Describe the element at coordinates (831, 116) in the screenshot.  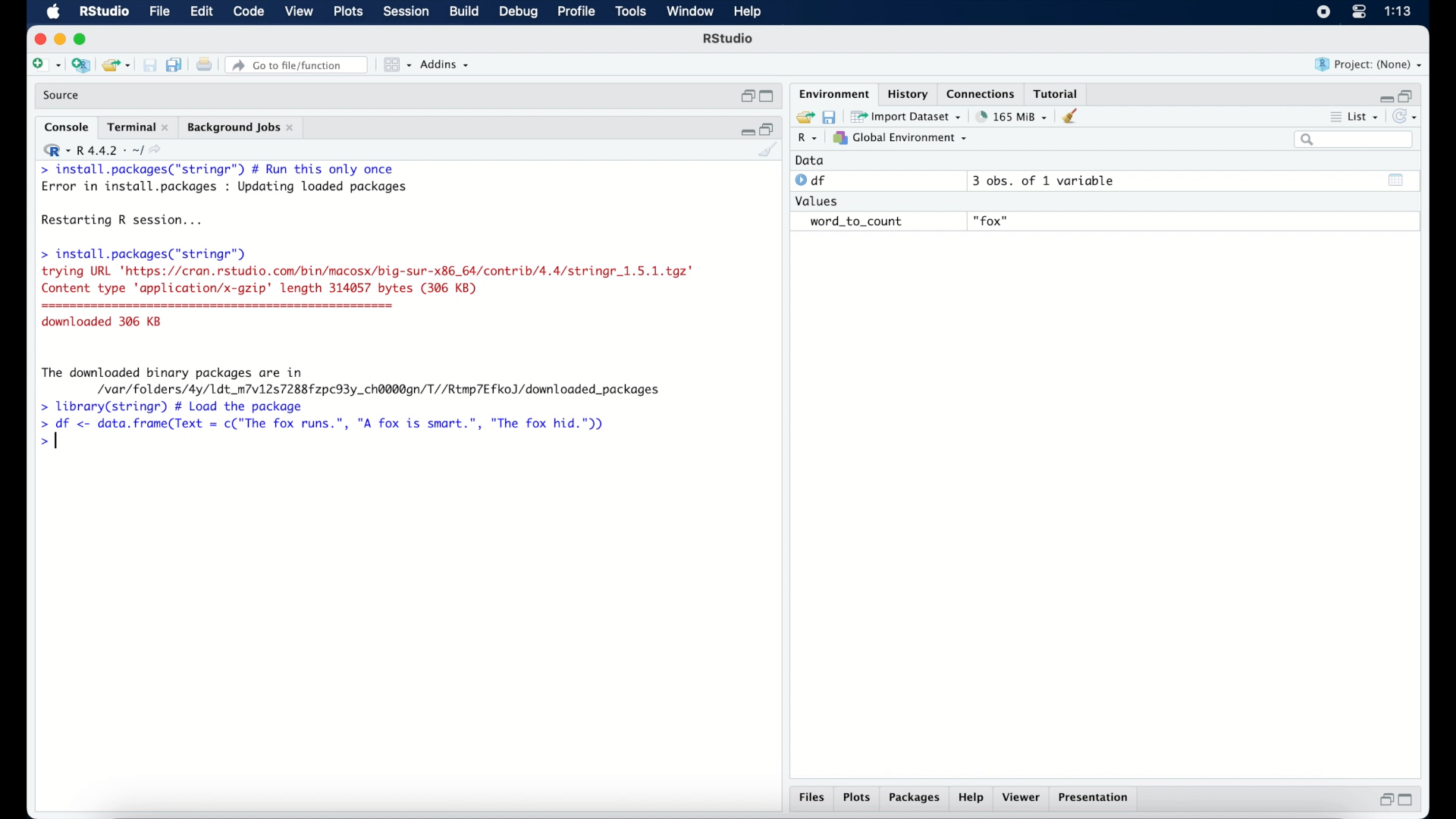
I see `save` at that location.